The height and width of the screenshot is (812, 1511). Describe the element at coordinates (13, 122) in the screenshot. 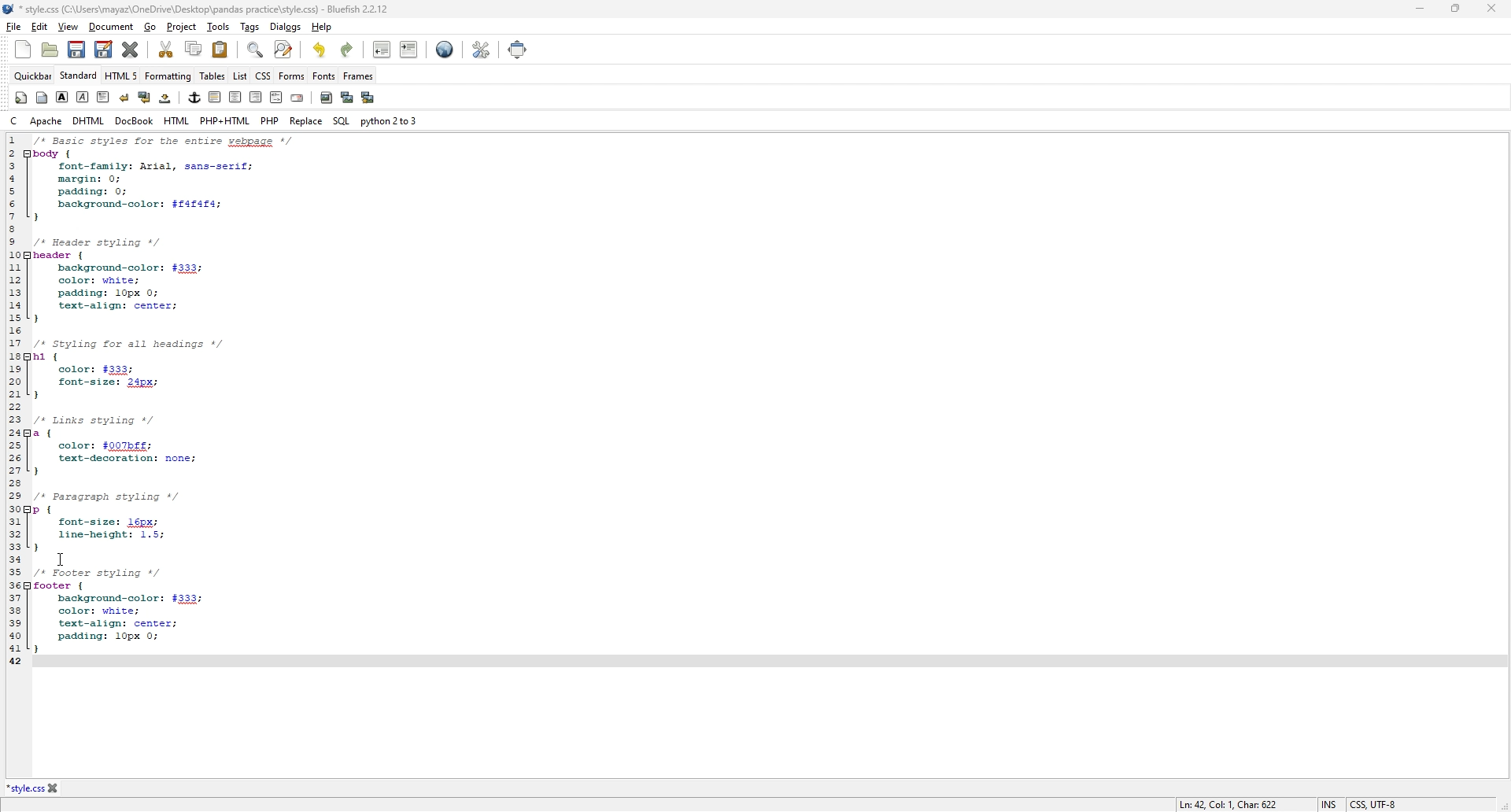

I see `C` at that location.